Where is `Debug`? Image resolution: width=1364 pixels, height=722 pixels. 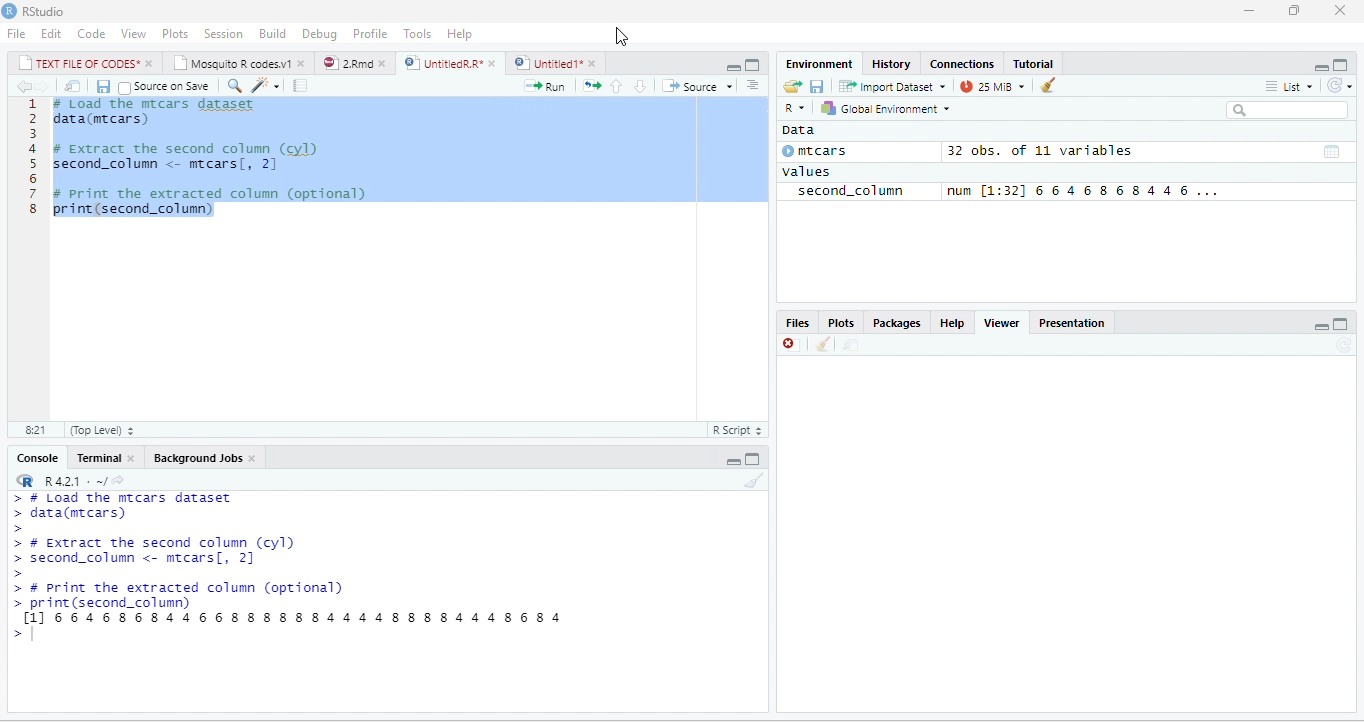
Debug is located at coordinates (317, 32).